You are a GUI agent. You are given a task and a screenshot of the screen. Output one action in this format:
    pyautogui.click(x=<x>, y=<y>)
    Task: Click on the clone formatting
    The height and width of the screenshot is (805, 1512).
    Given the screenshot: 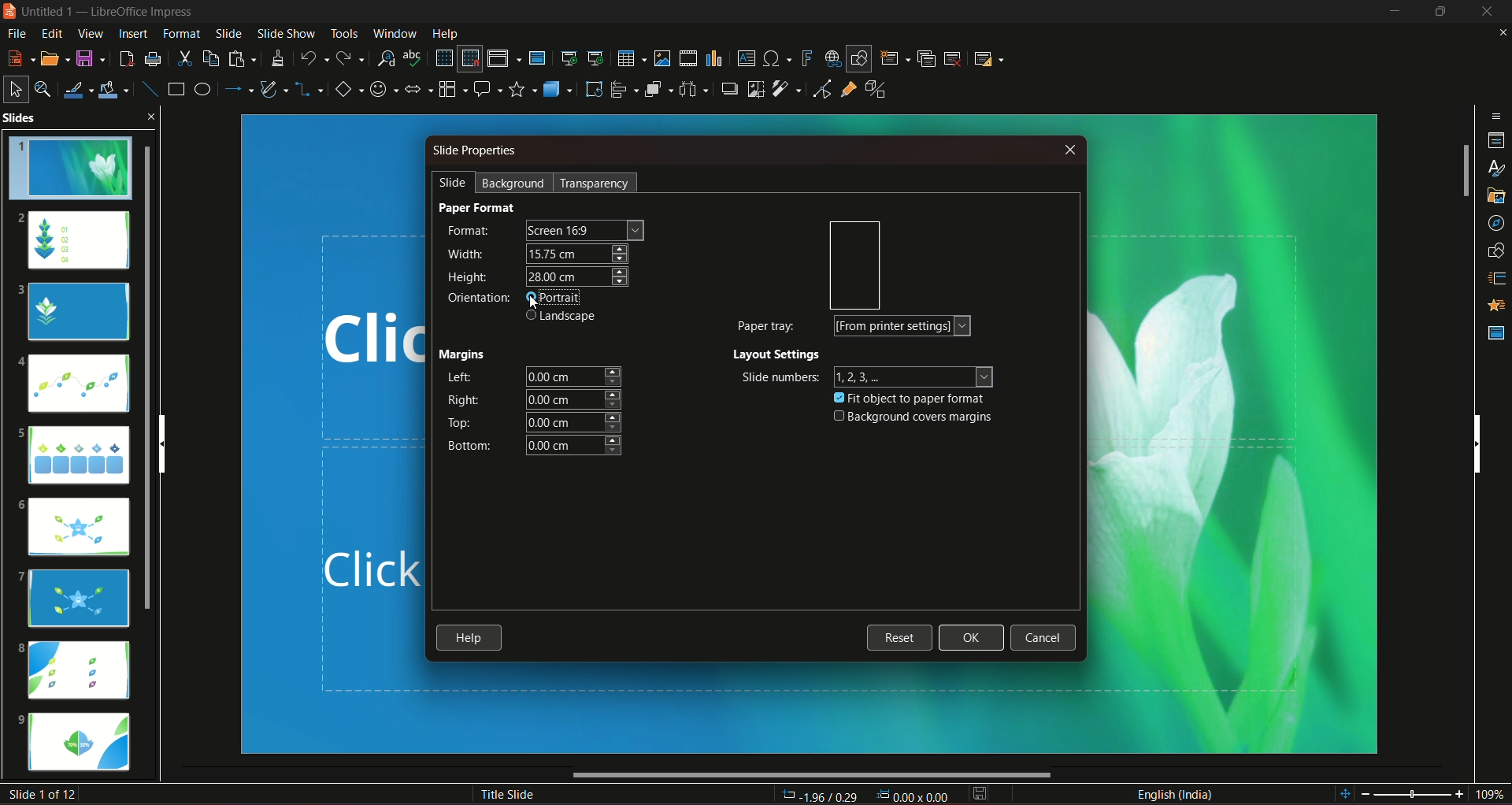 What is the action you would take?
    pyautogui.click(x=280, y=58)
    